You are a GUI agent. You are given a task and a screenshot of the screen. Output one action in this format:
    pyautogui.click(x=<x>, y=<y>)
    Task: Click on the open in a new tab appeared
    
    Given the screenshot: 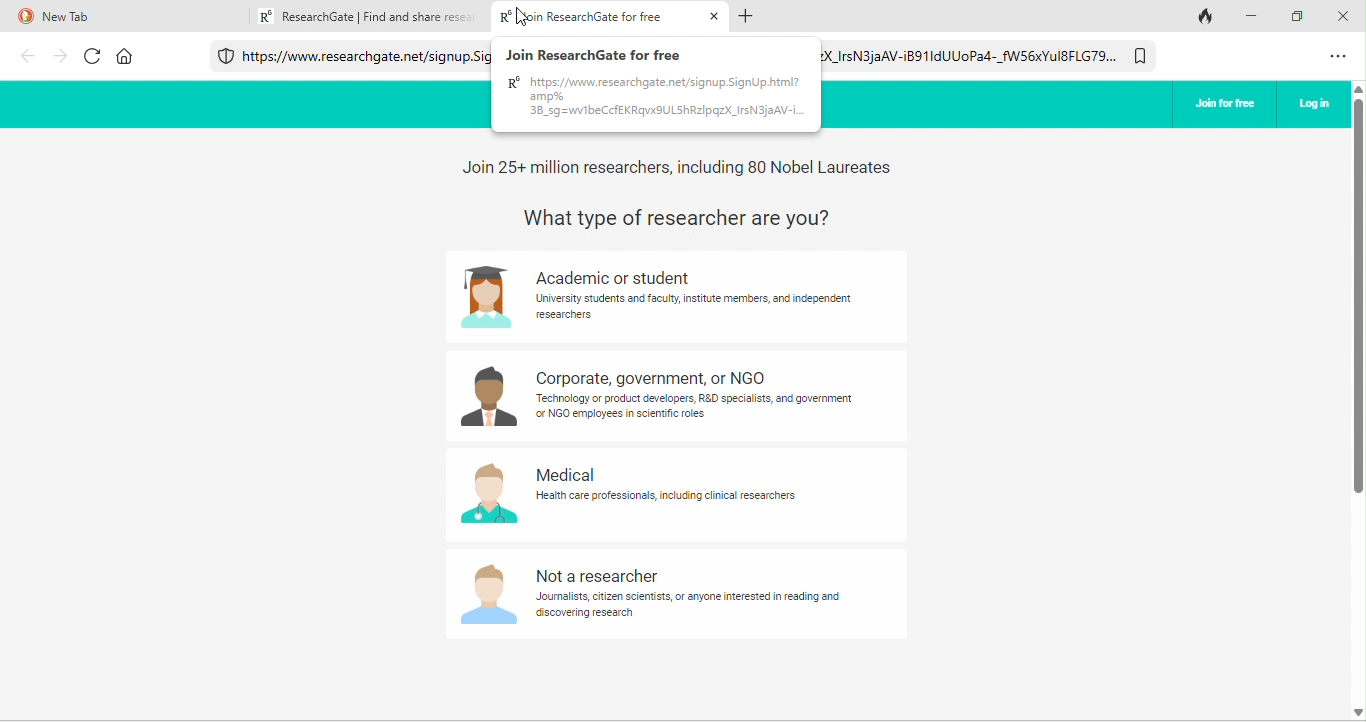 What is the action you would take?
    pyautogui.click(x=613, y=17)
    